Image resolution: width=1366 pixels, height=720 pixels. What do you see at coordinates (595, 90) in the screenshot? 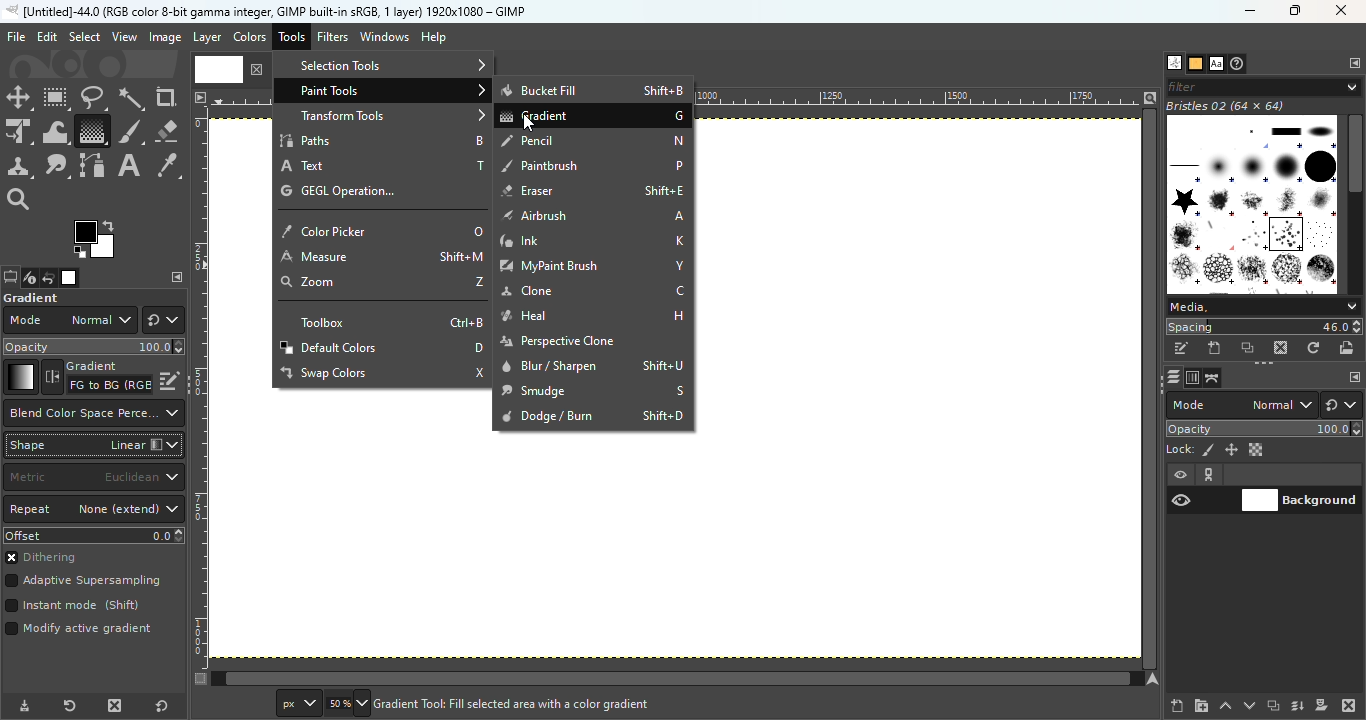
I see `Bucket Fill` at bounding box center [595, 90].